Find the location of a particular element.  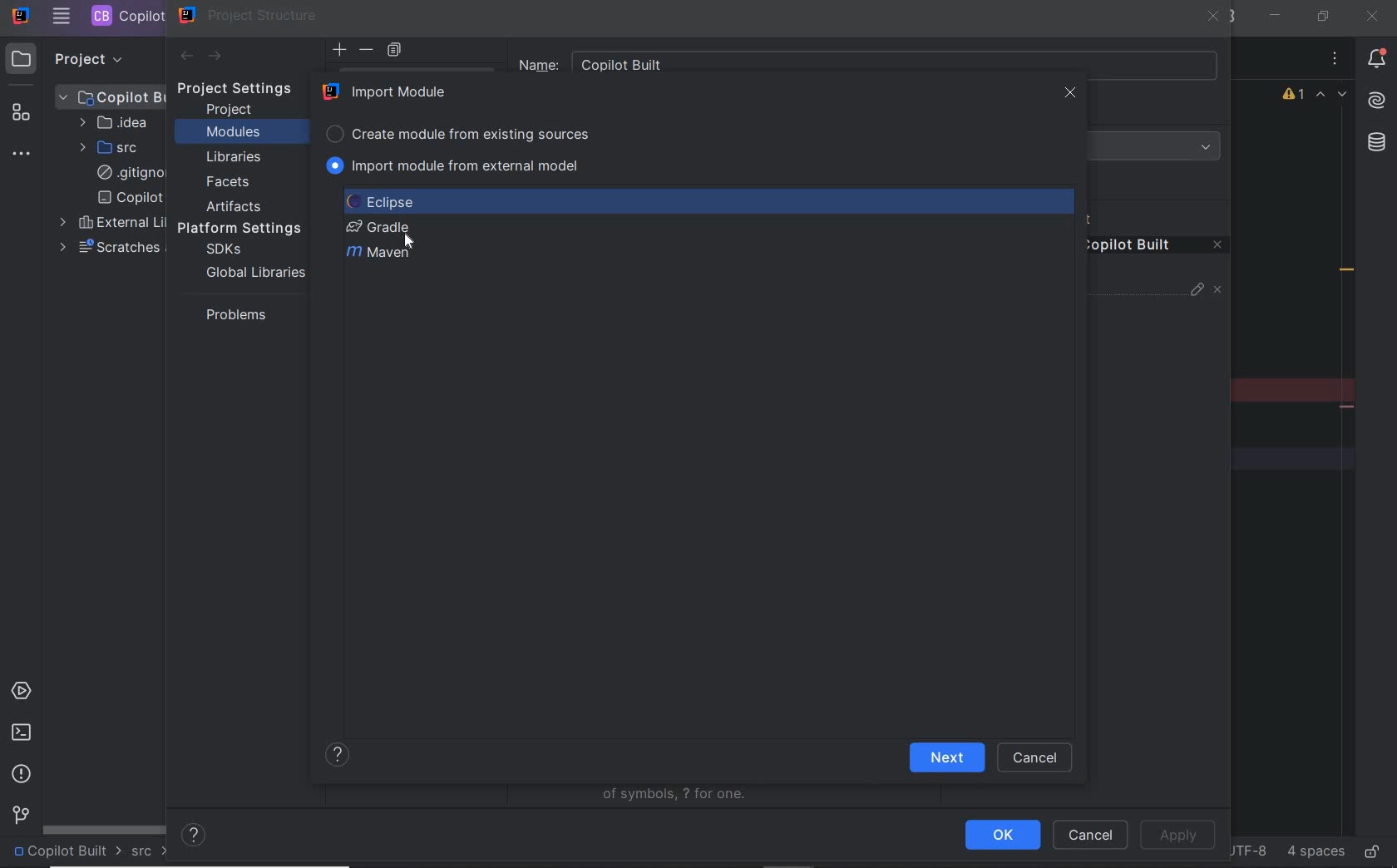

MAIN MENU is located at coordinates (61, 17).